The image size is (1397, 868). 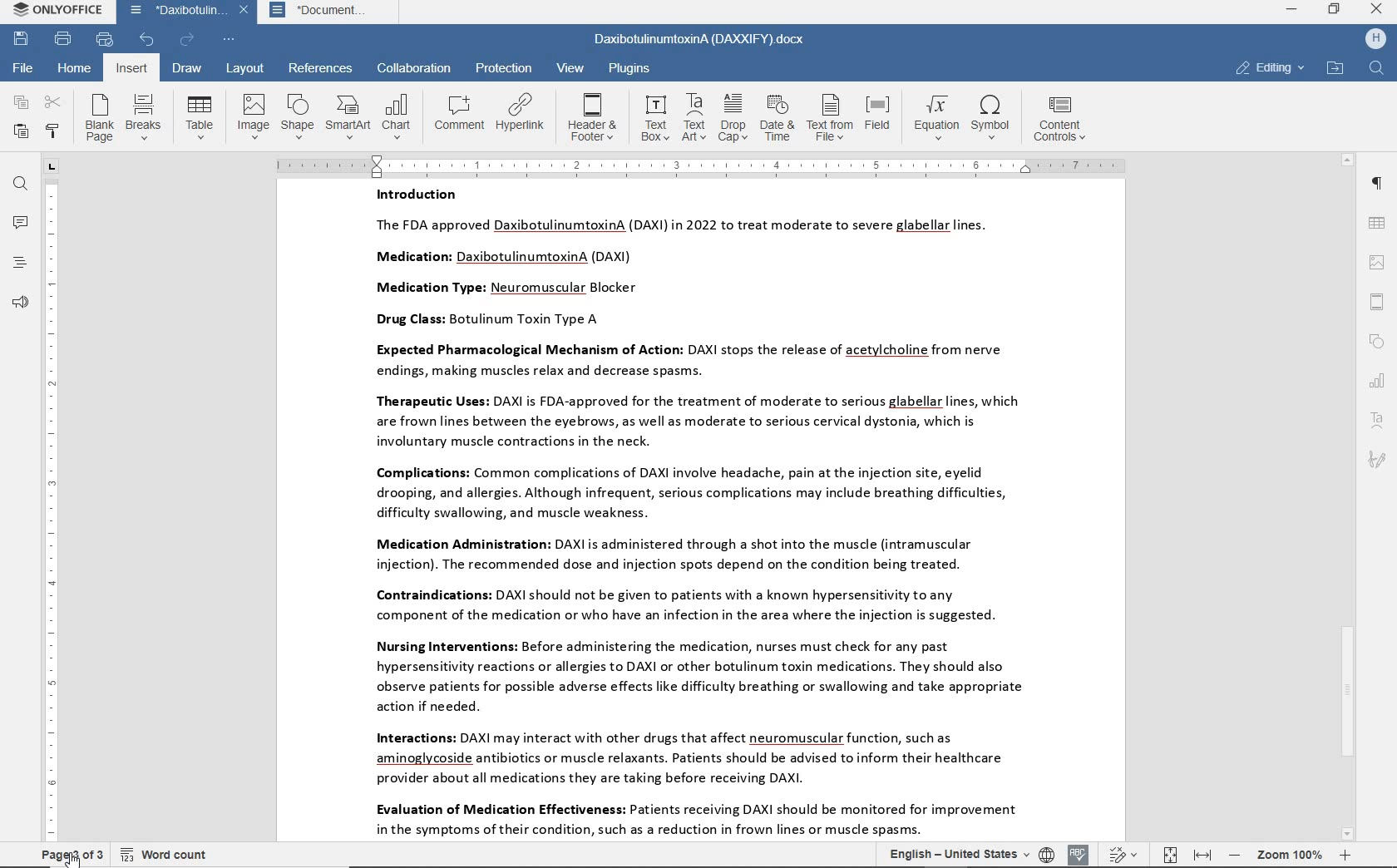 What do you see at coordinates (252, 116) in the screenshot?
I see `image` at bounding box center [252, 116].